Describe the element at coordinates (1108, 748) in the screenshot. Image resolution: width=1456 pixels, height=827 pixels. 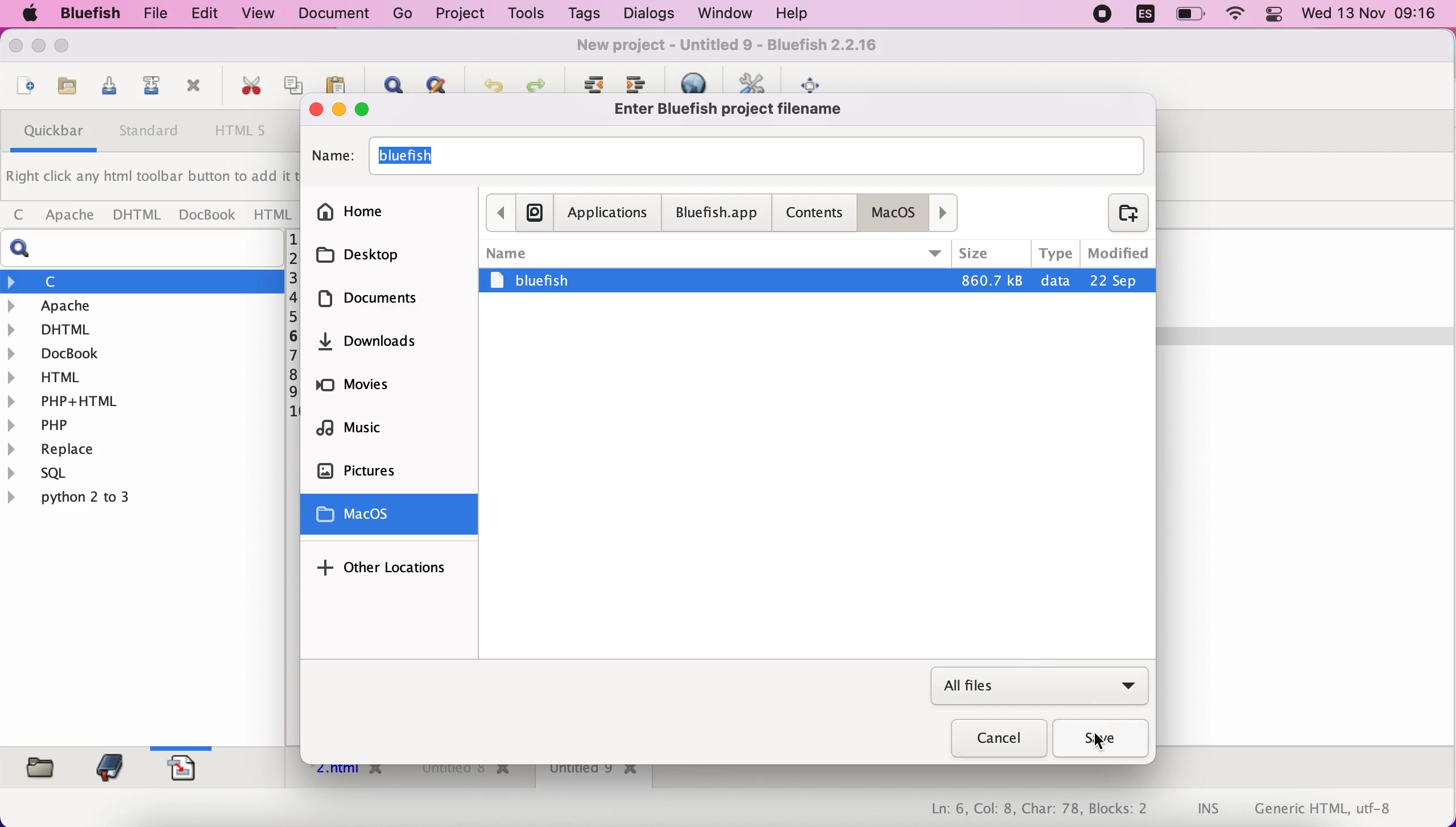
I see `cursor` at that location.